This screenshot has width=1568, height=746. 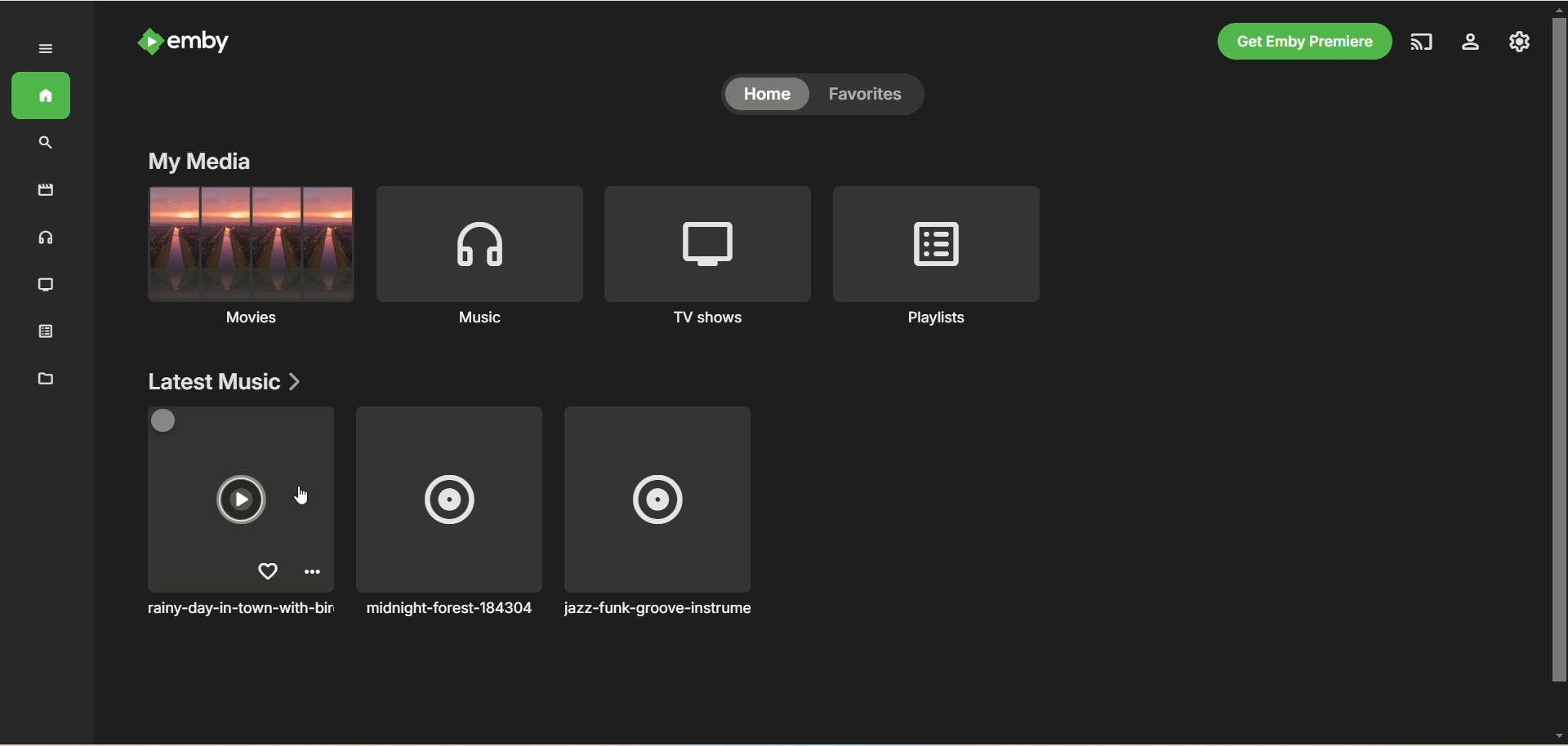 I want to click on expand, so click(x=47, y=49).